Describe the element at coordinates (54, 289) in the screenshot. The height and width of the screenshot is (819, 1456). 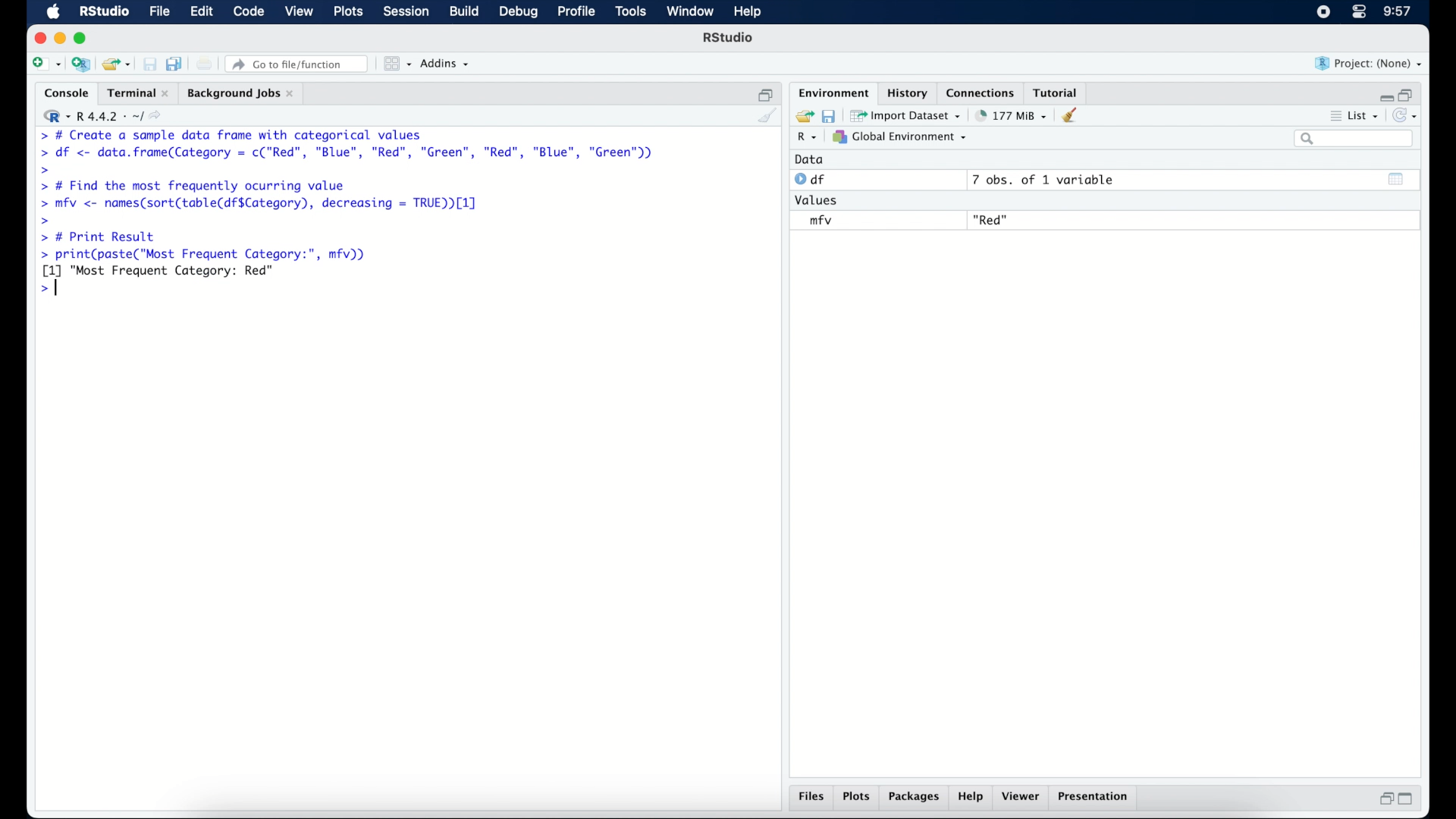
I see `command prompt` at that location.